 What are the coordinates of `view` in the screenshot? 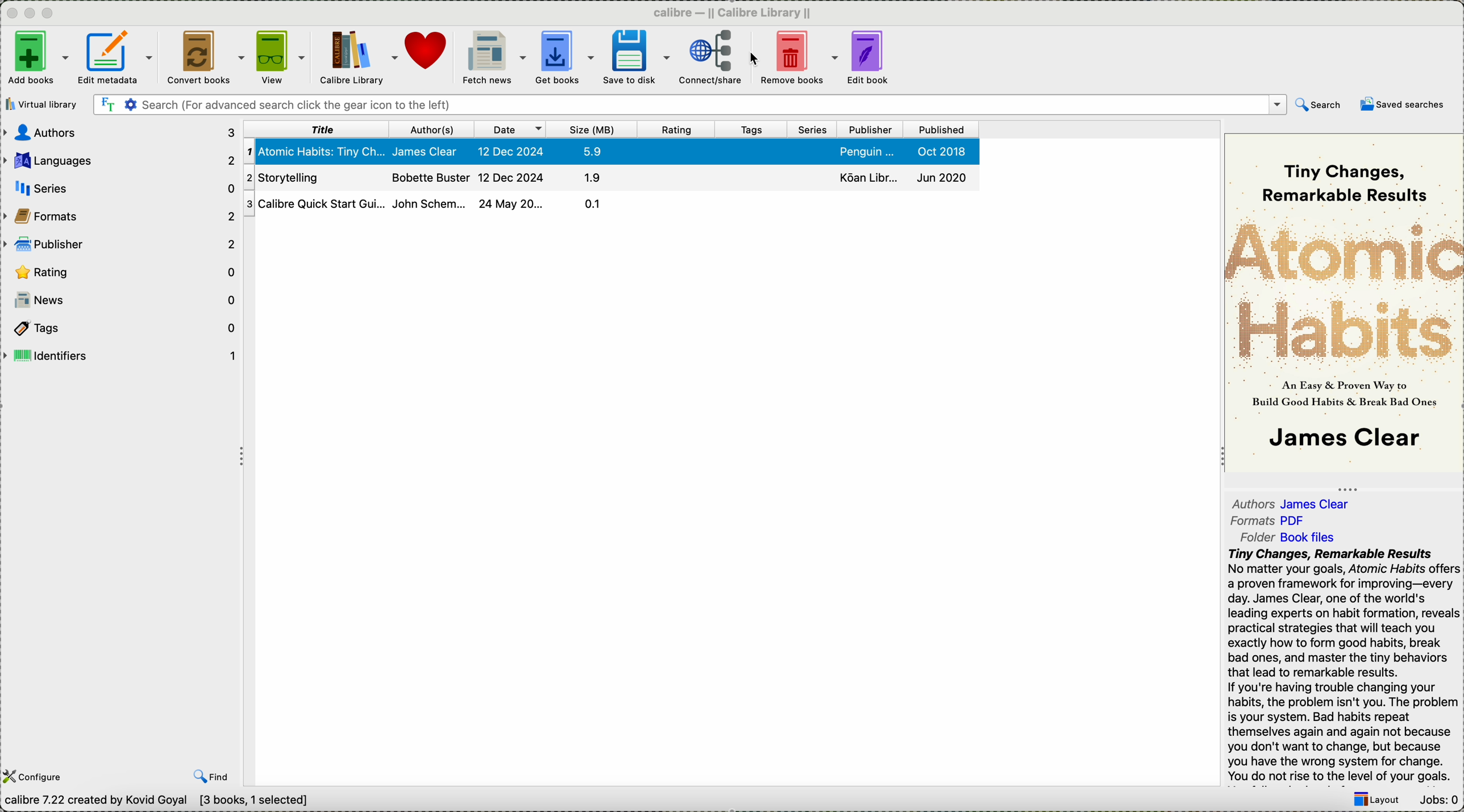 It's located at (281, 58).